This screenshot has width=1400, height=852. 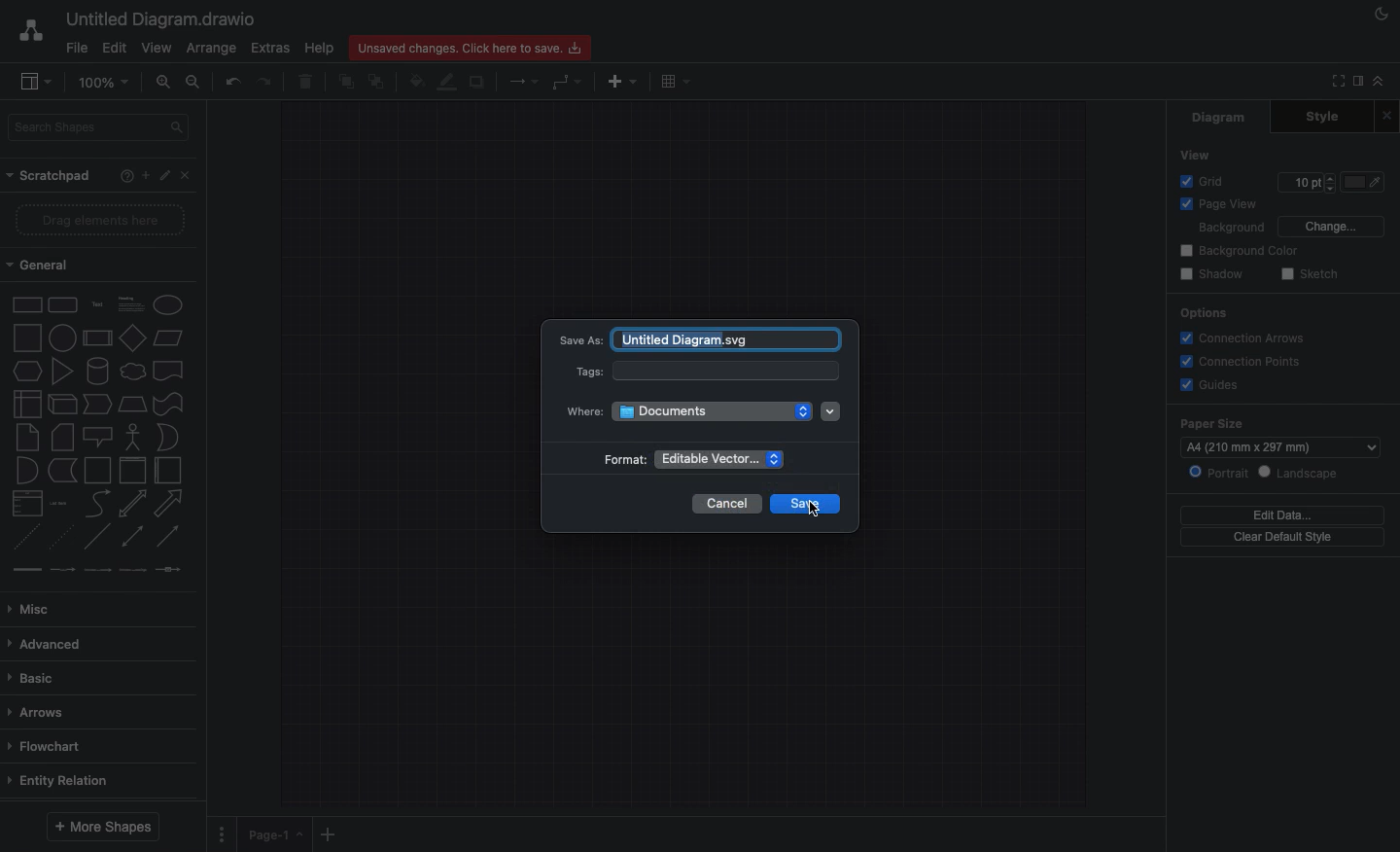 What do you see at coordinates (36, 713) in the screenshot?
I see `Arrows` at bounding box center [36, 713].